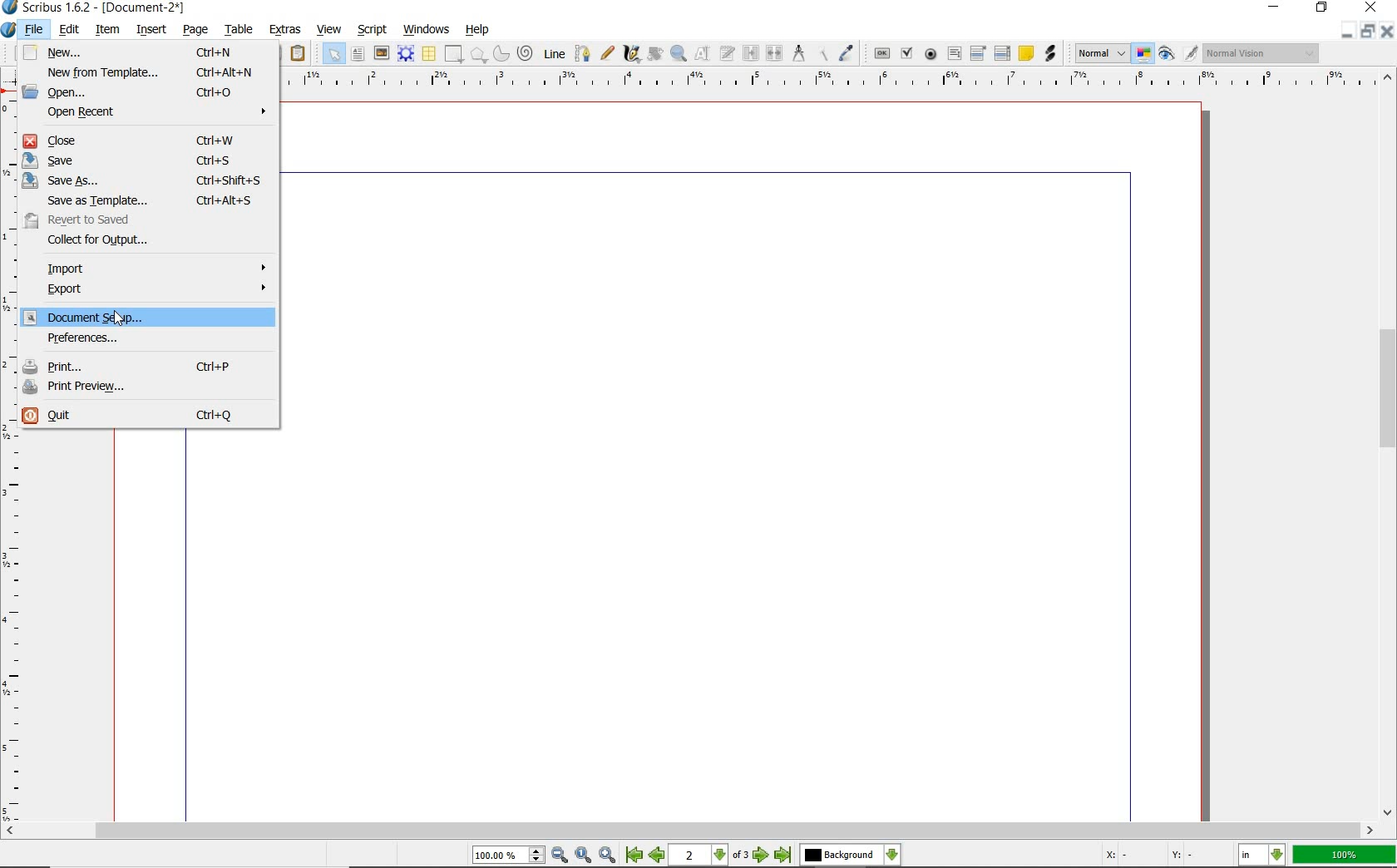  I want to click on minimize, so click(1271, 7).